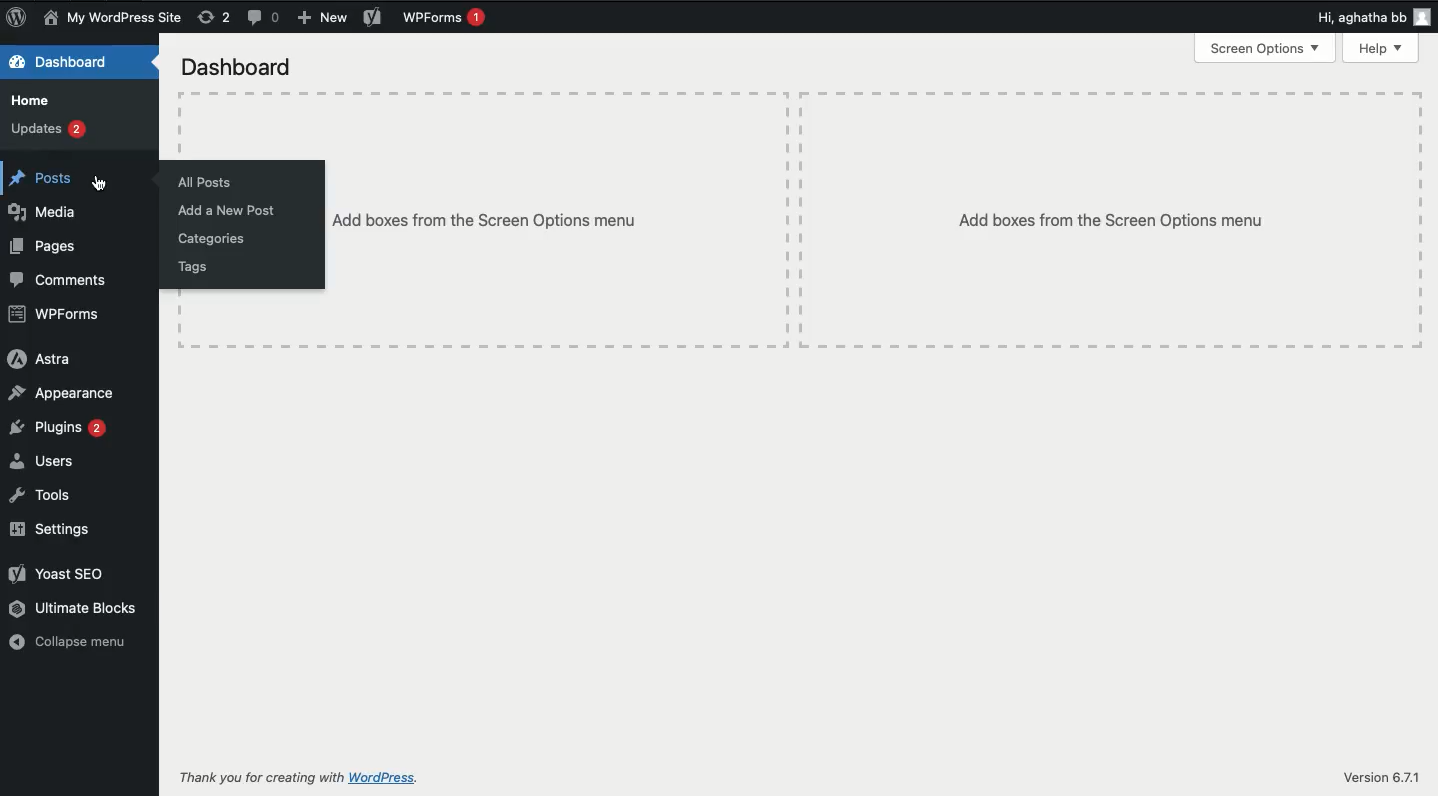 This screenshot has height=796, width=1438. Describe the element at coordinates (42, 463) in the screenshot. I see `Users` at that location.